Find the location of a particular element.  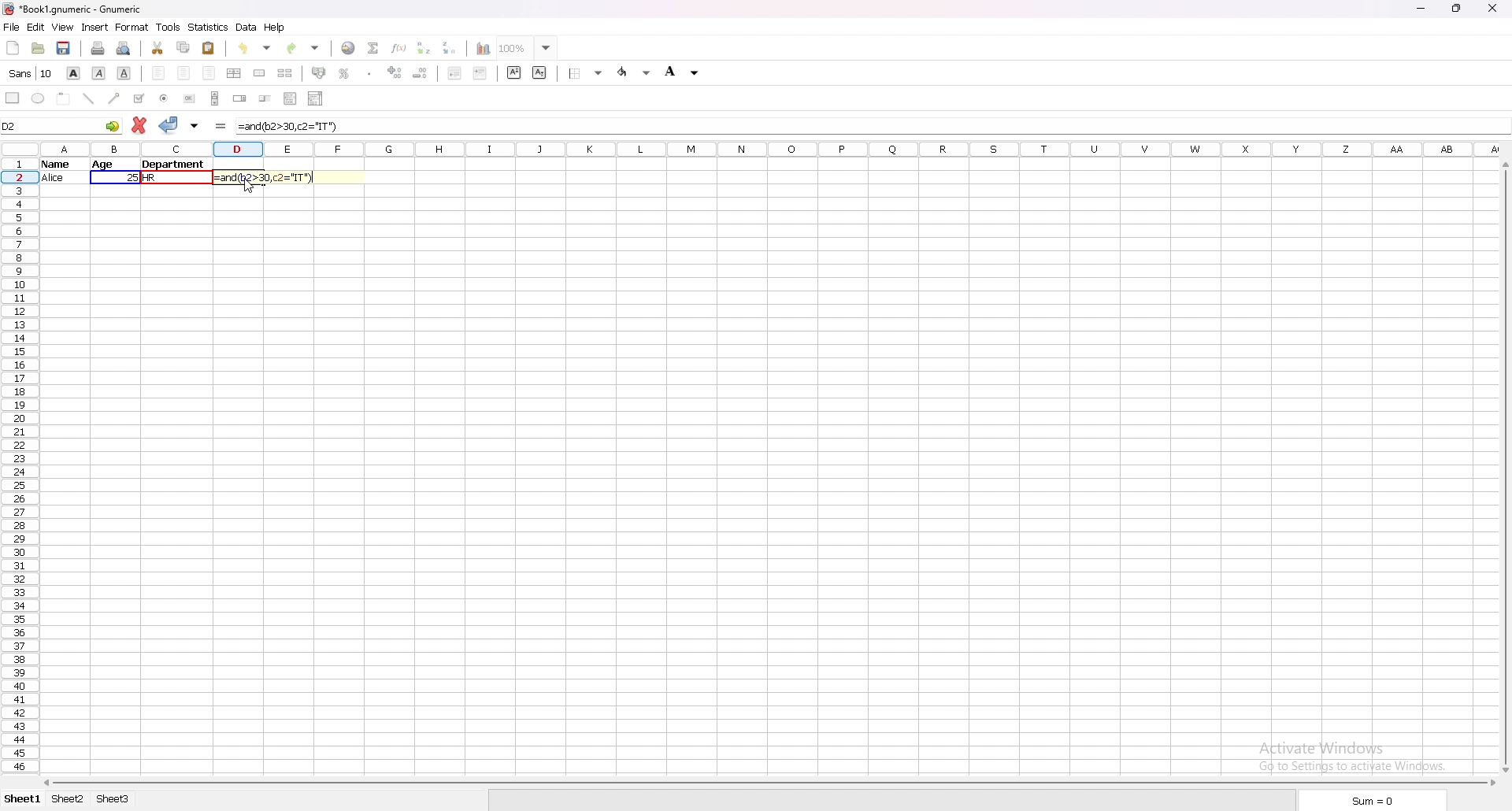

sort descending is located at coordinates (450, 47).